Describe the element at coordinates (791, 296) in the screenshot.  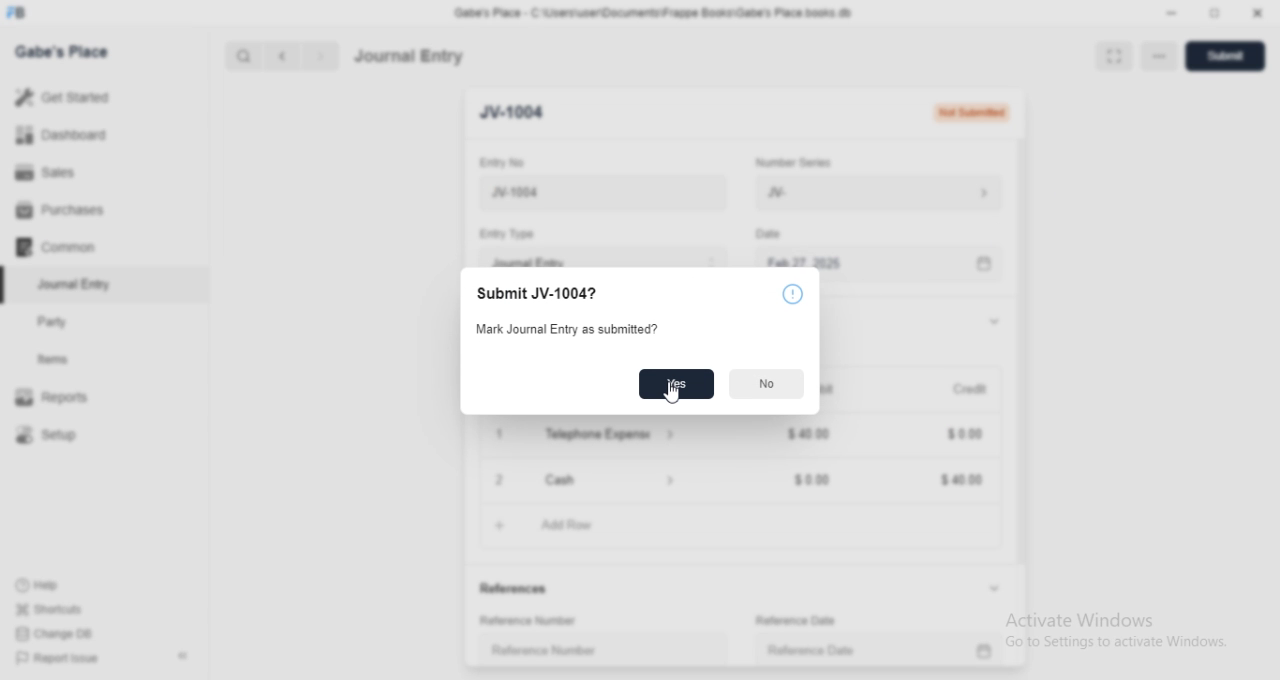
I see `Icon` at that location.